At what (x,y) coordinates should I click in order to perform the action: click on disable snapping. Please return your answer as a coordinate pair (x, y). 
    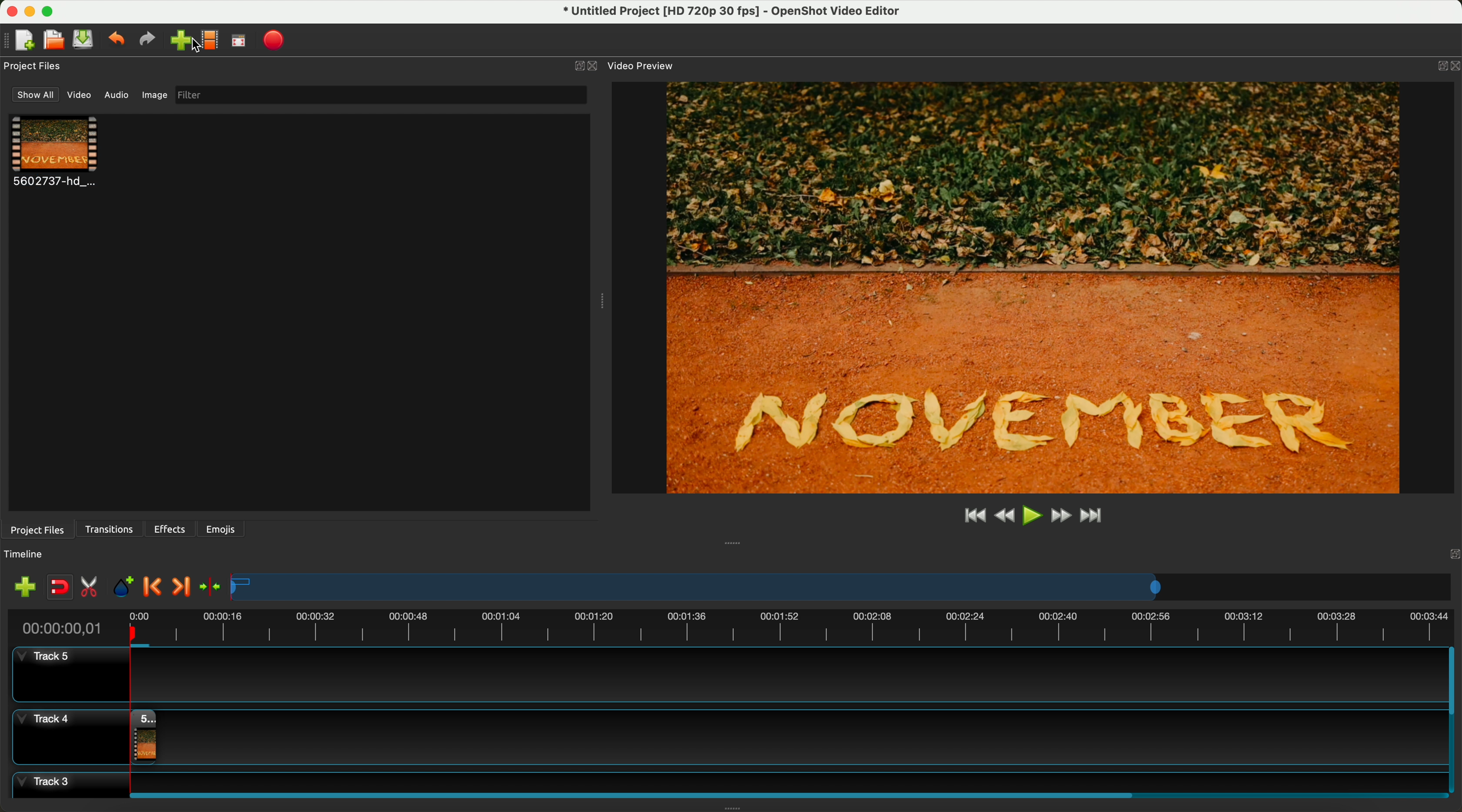
    Looking at the image, I should click on (60, 588).